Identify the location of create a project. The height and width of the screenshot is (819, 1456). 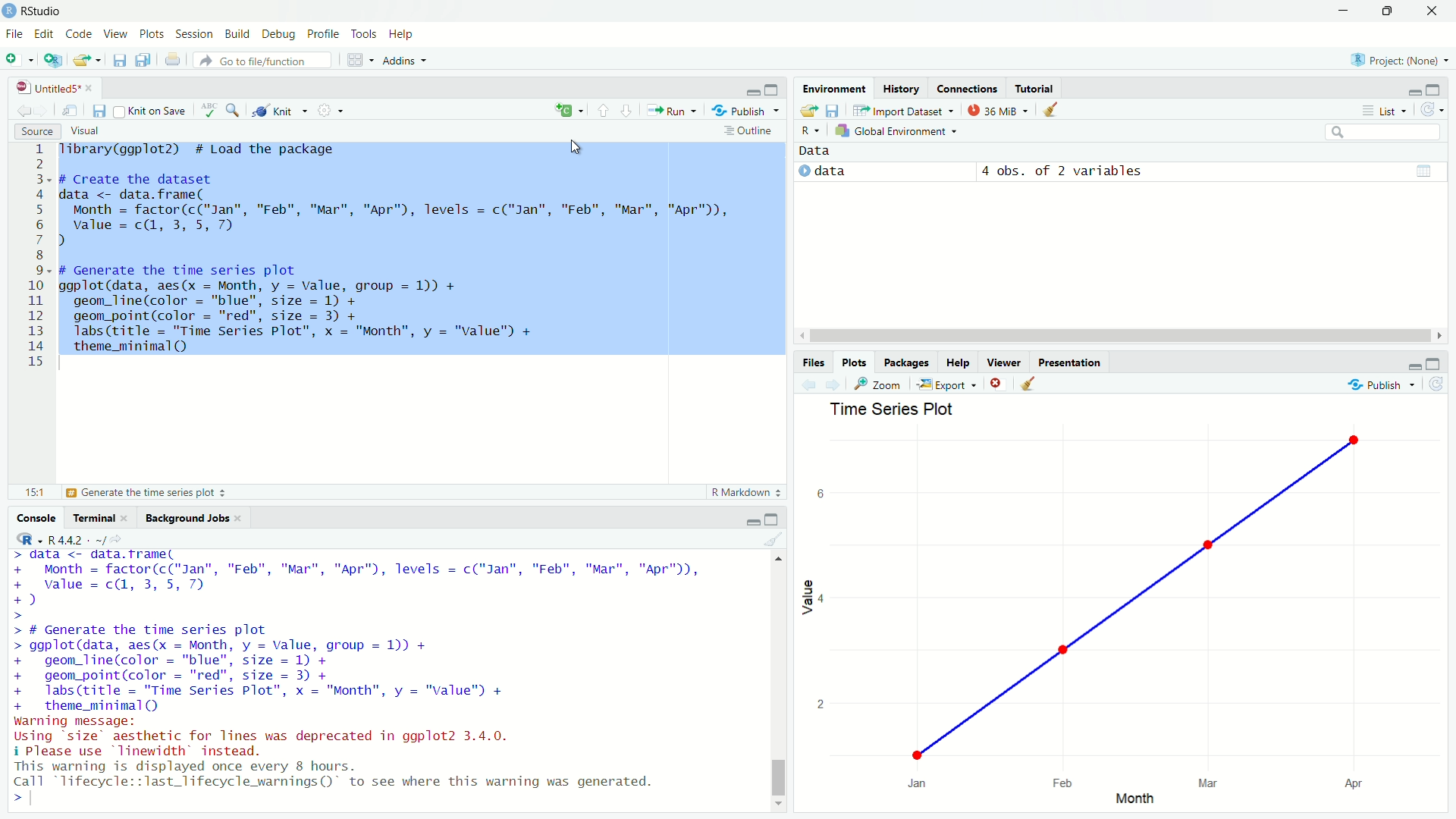
(54, 60).